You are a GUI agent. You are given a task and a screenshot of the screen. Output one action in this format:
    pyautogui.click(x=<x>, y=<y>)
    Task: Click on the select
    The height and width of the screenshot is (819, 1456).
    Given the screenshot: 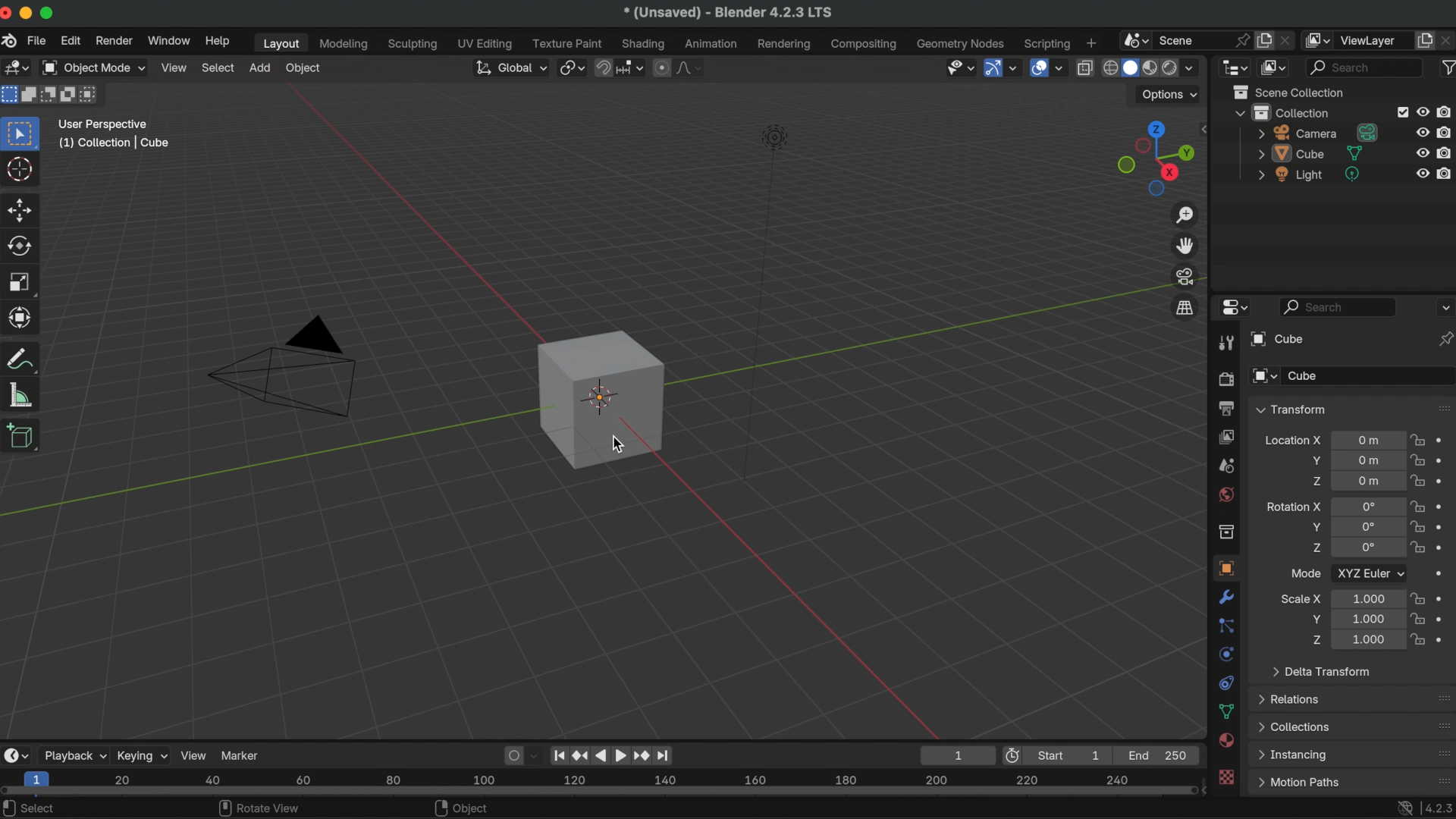 What is the action you would take?
    pyautogui.click(x=35, y=808)
    